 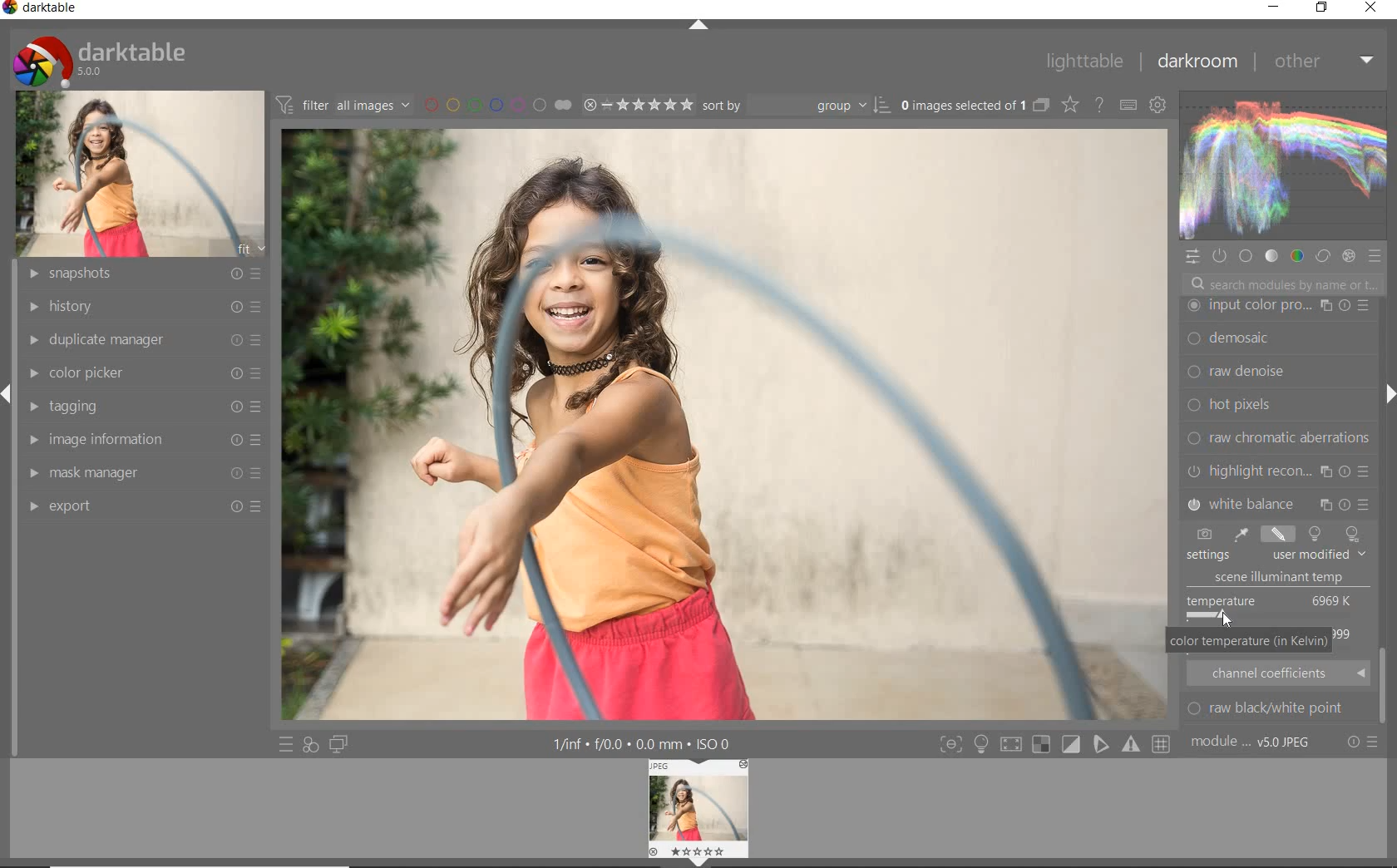 What do you see at coordinates (1071, 744) in the screenshot?
I see `toggle mode ` at bounding box center [1071, 744].